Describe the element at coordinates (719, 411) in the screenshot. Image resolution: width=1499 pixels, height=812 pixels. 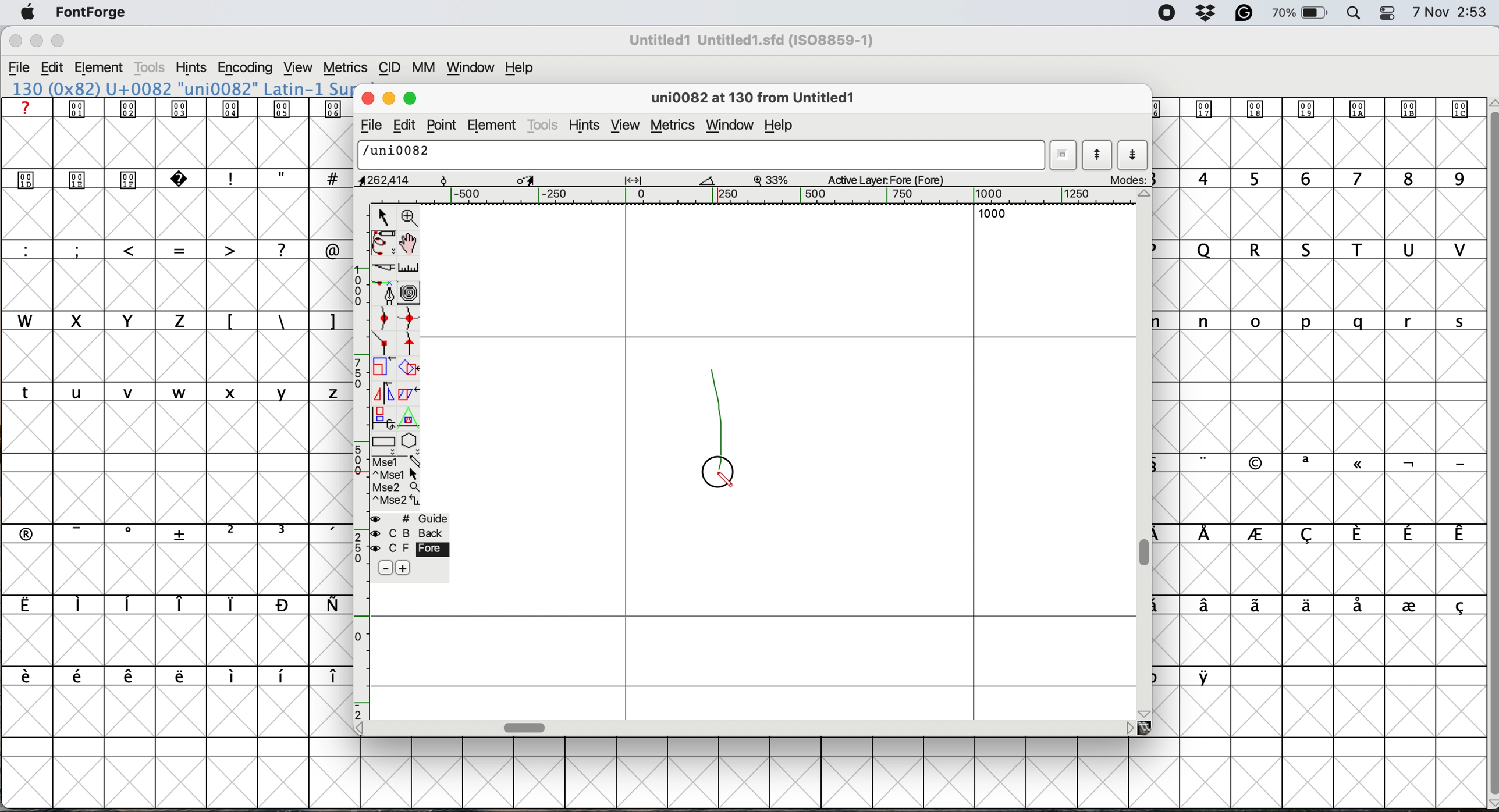
I see `draw r` at that location.